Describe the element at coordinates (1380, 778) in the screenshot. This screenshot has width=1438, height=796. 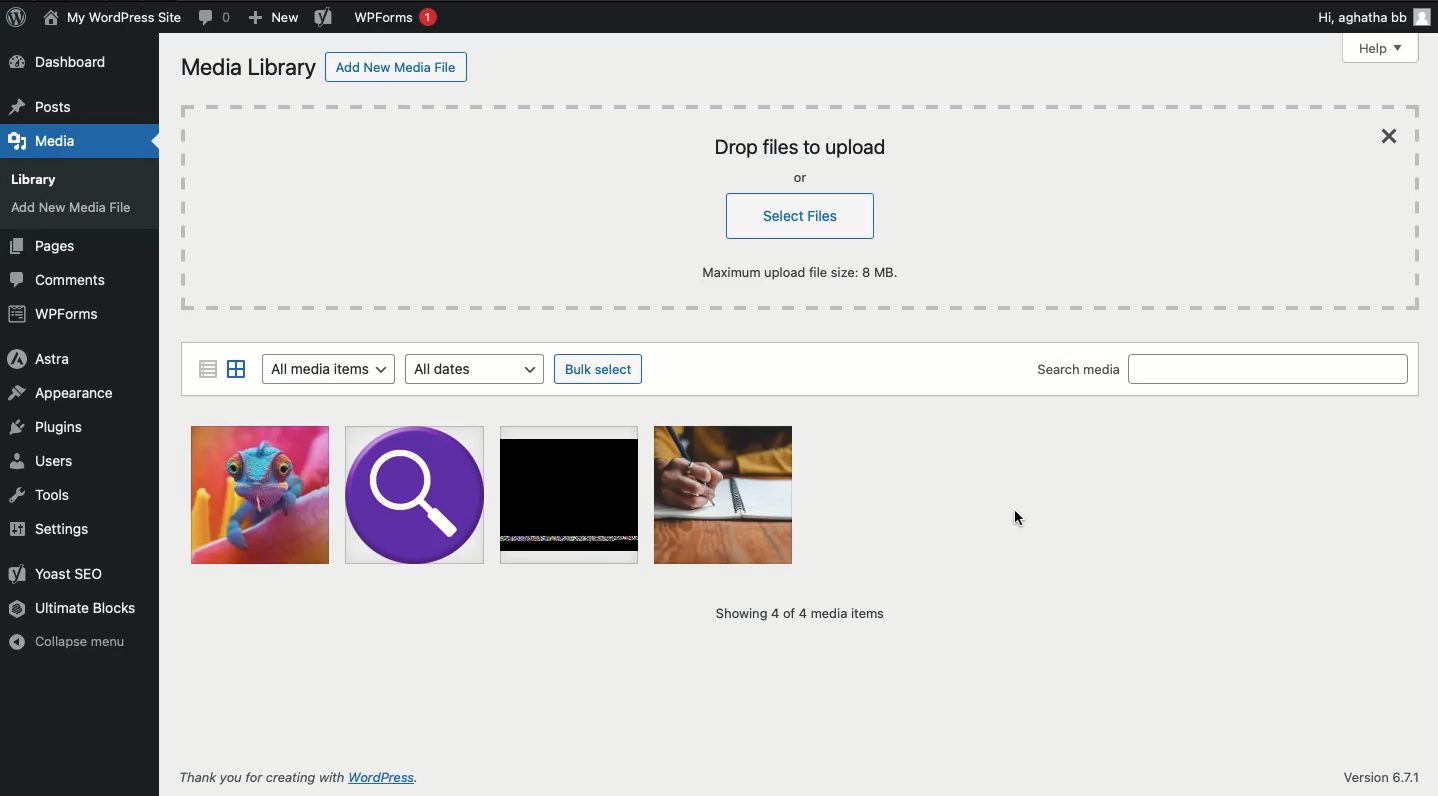
I see `Version 6.7.1` at that location.